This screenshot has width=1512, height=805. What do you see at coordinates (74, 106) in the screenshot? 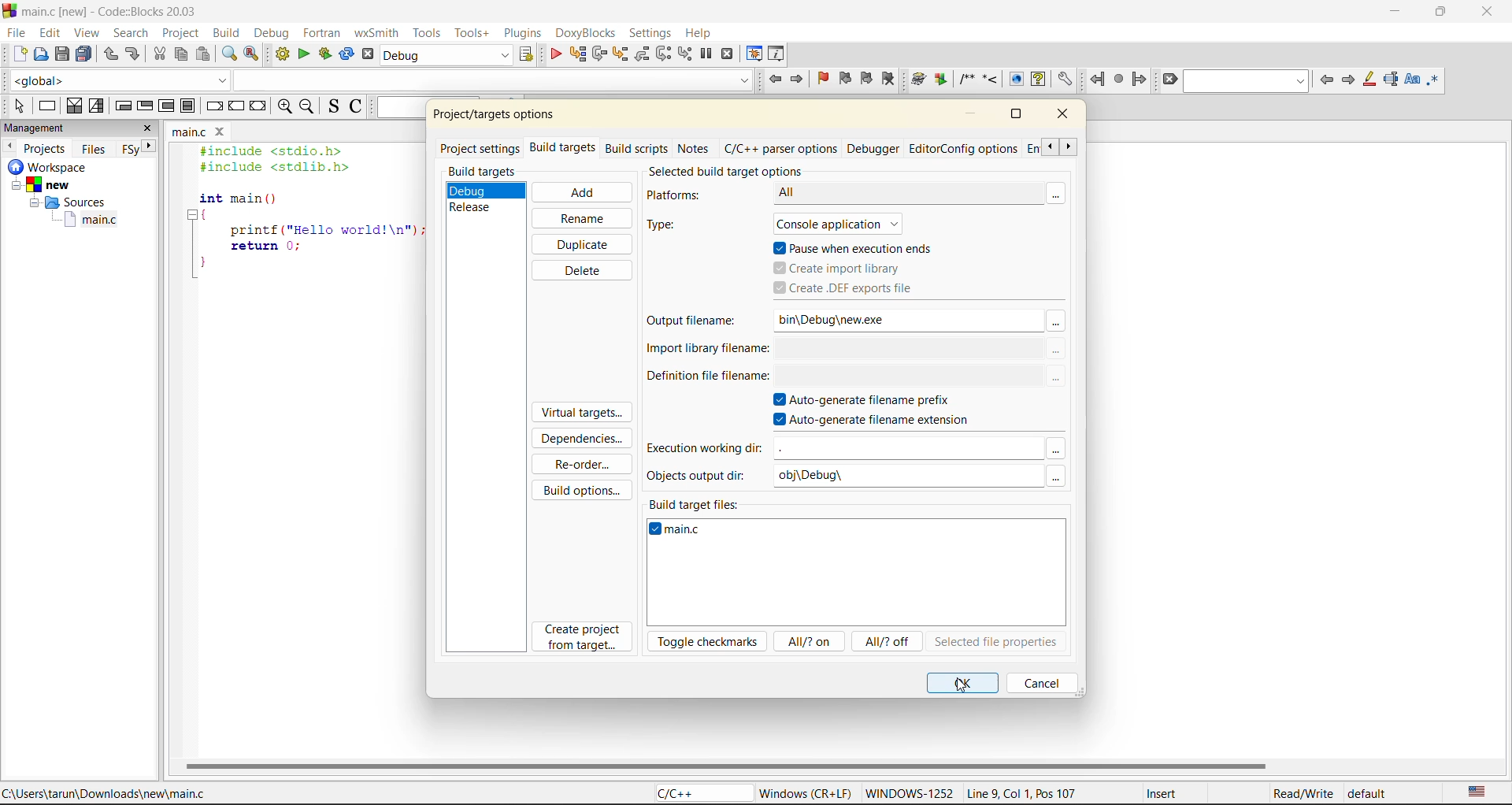
I see `decision` at bounding box center [74, 106].